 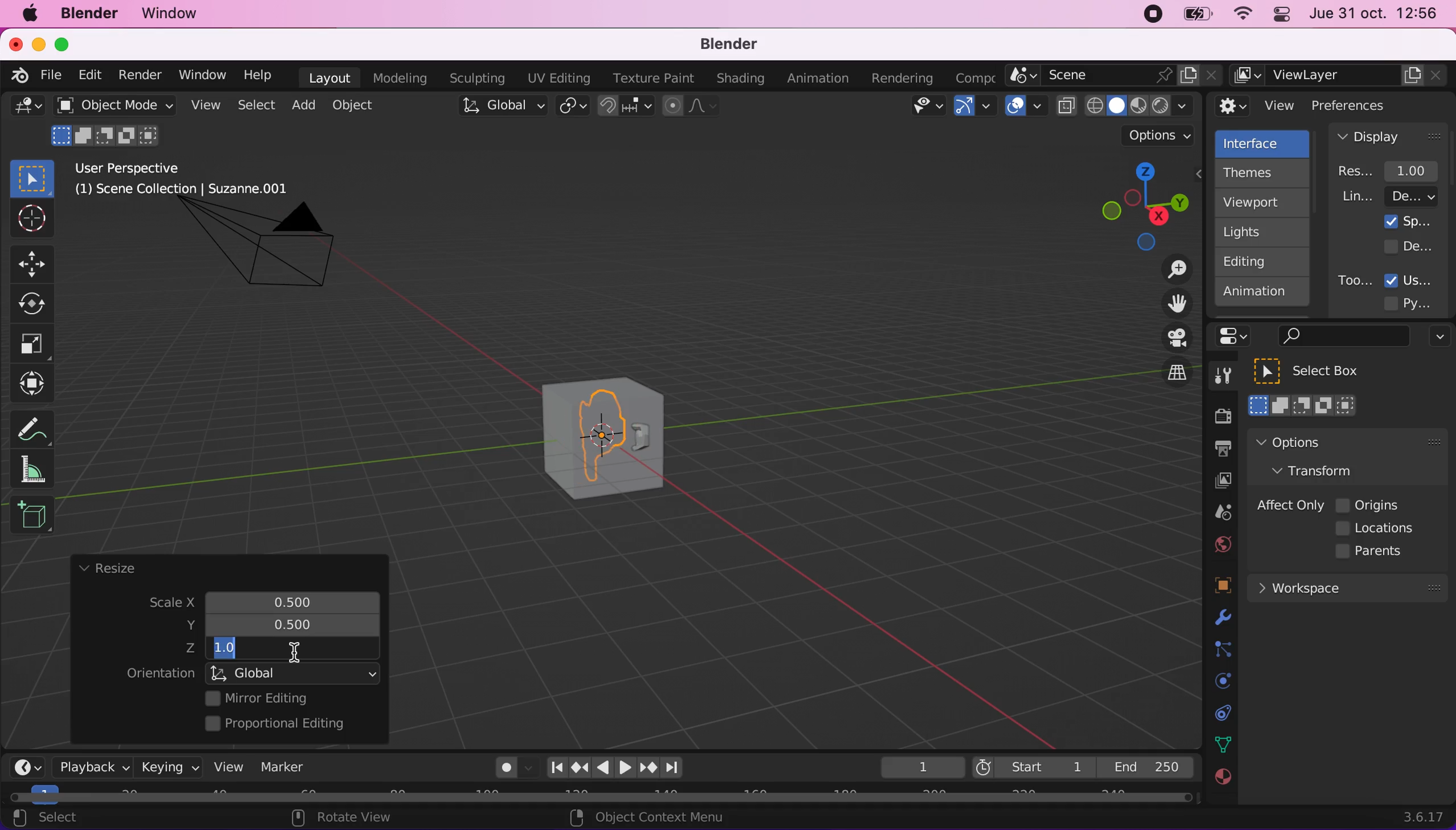 I want to click on minimize, so click(x=36, y=43).